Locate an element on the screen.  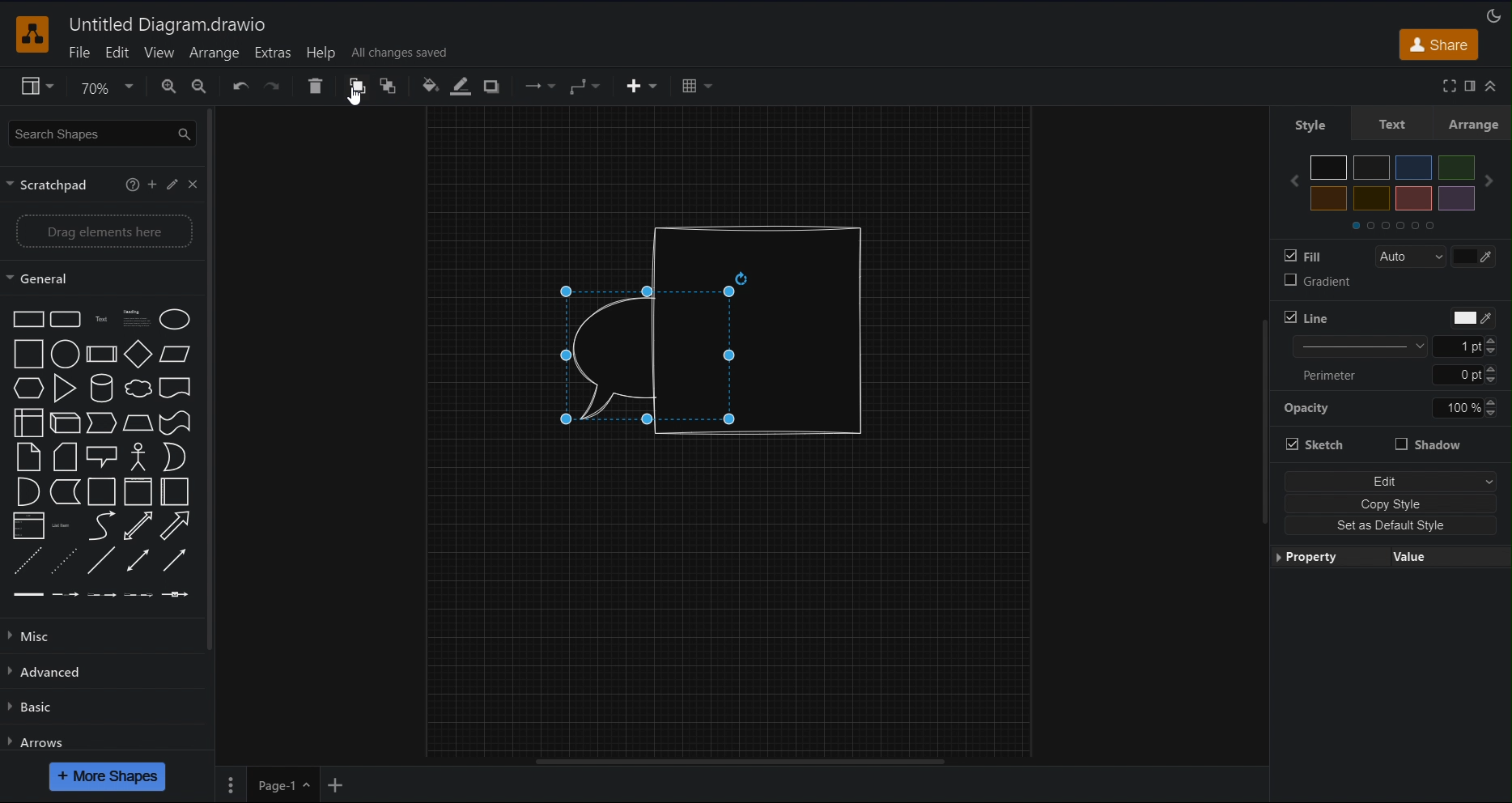
Connector with 3 labels is located at coordinates (138, 594).